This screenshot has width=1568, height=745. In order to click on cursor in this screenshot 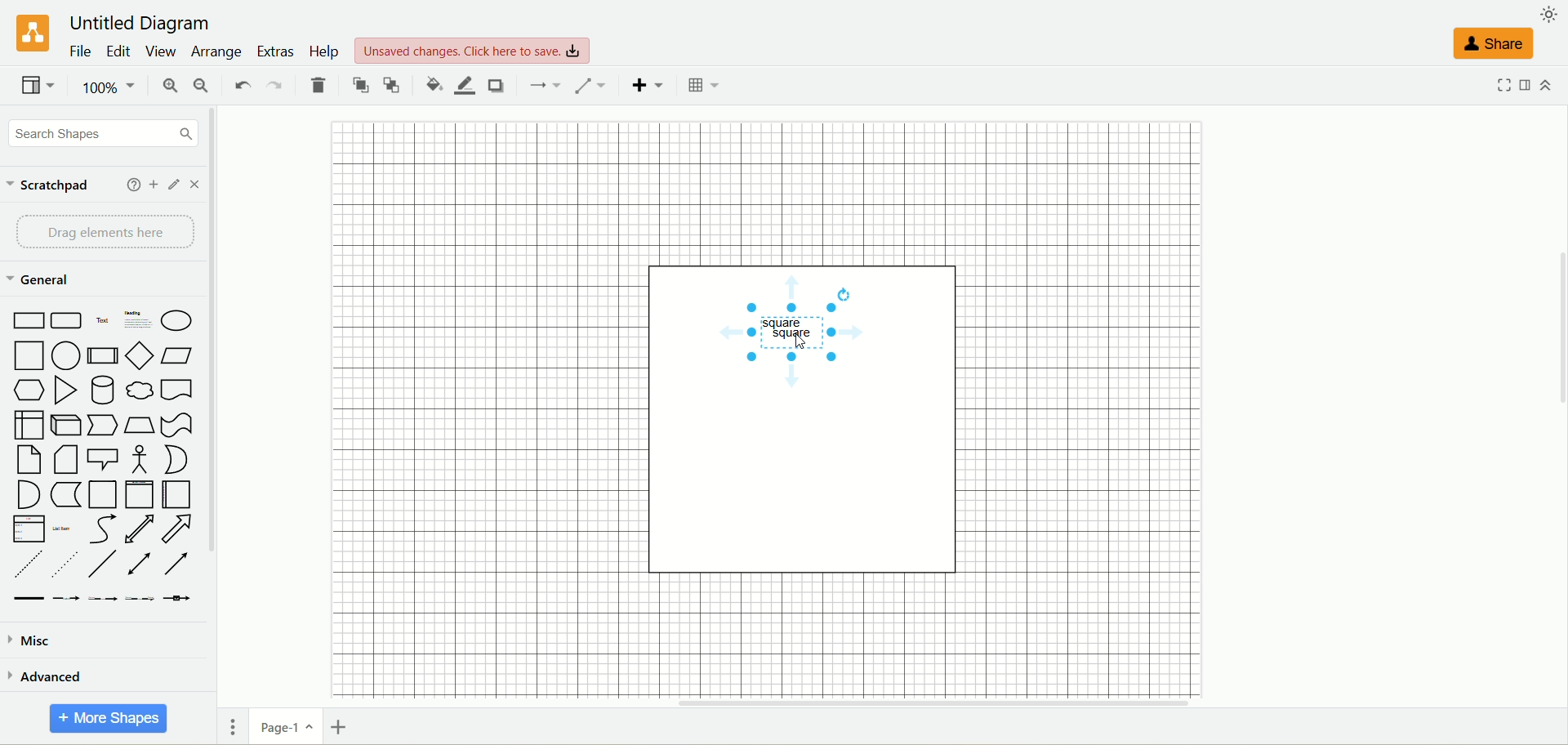, I will do `click(803, 343)`.